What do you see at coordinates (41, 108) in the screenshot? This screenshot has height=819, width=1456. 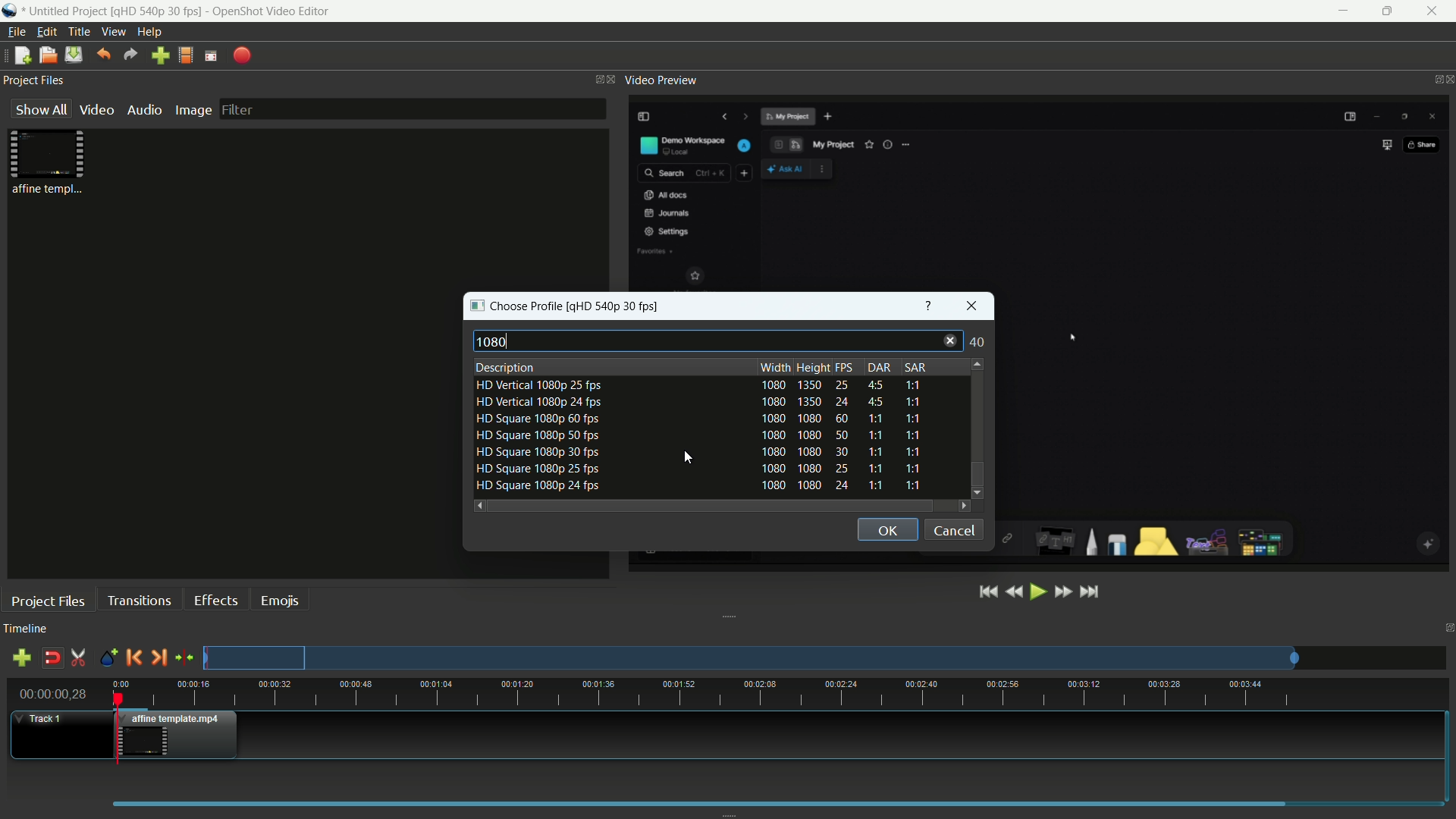 I see `show all` at bounding box center [41, 108].